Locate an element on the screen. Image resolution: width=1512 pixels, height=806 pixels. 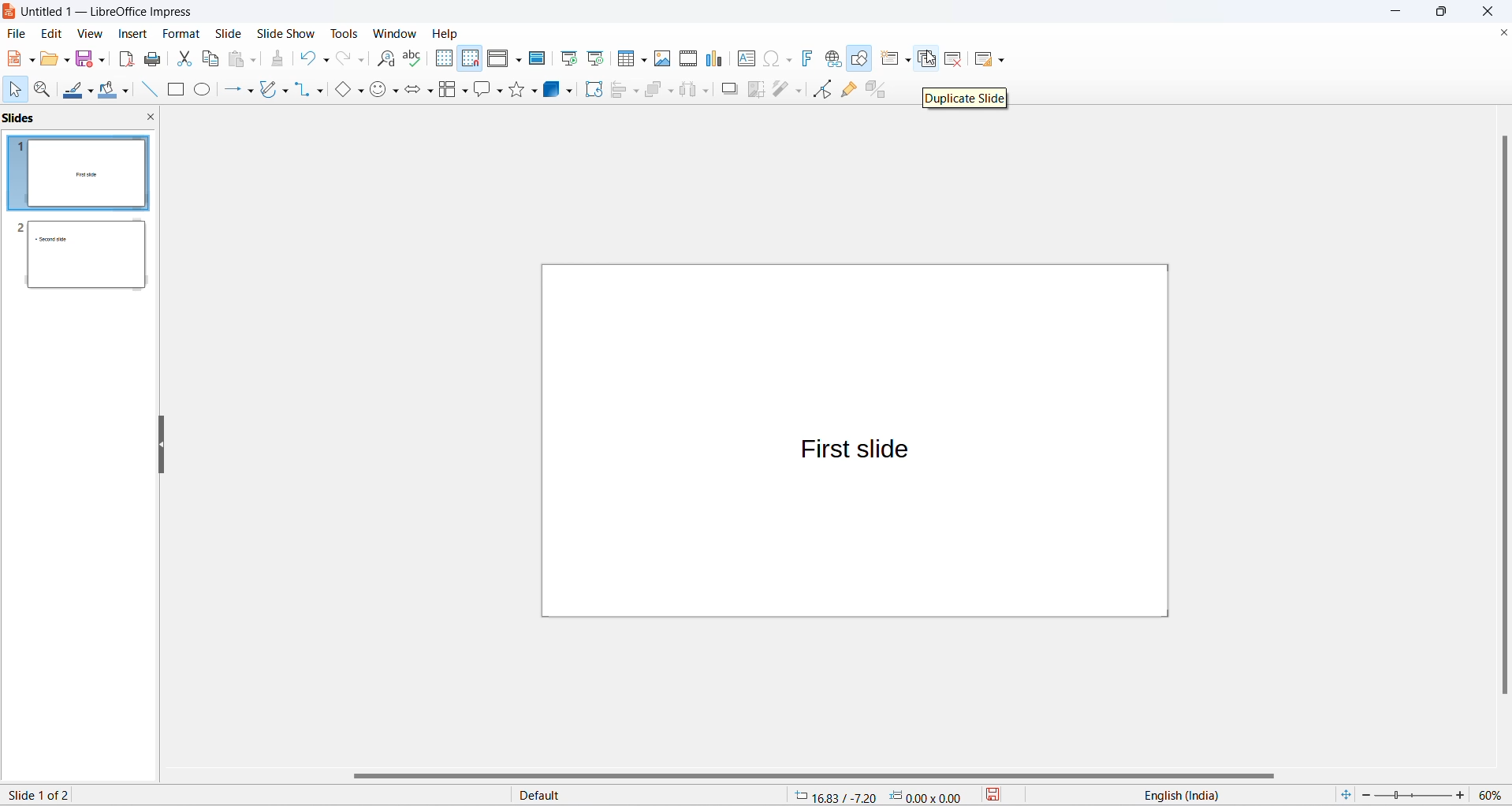
increase zoom is located at coordinates (1467, 794).